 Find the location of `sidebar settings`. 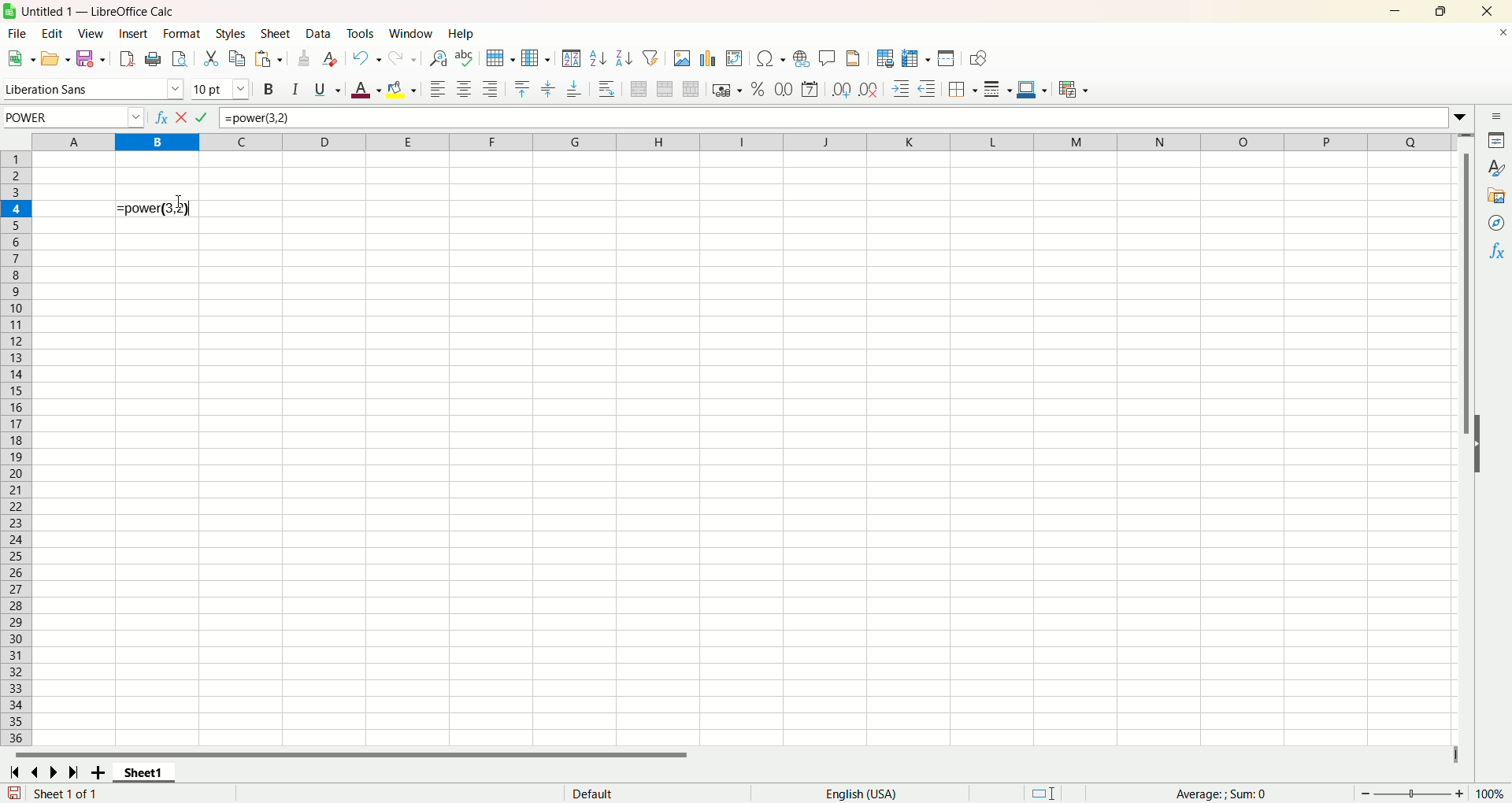

sidebar settings is located at coordinates (1496, 117).